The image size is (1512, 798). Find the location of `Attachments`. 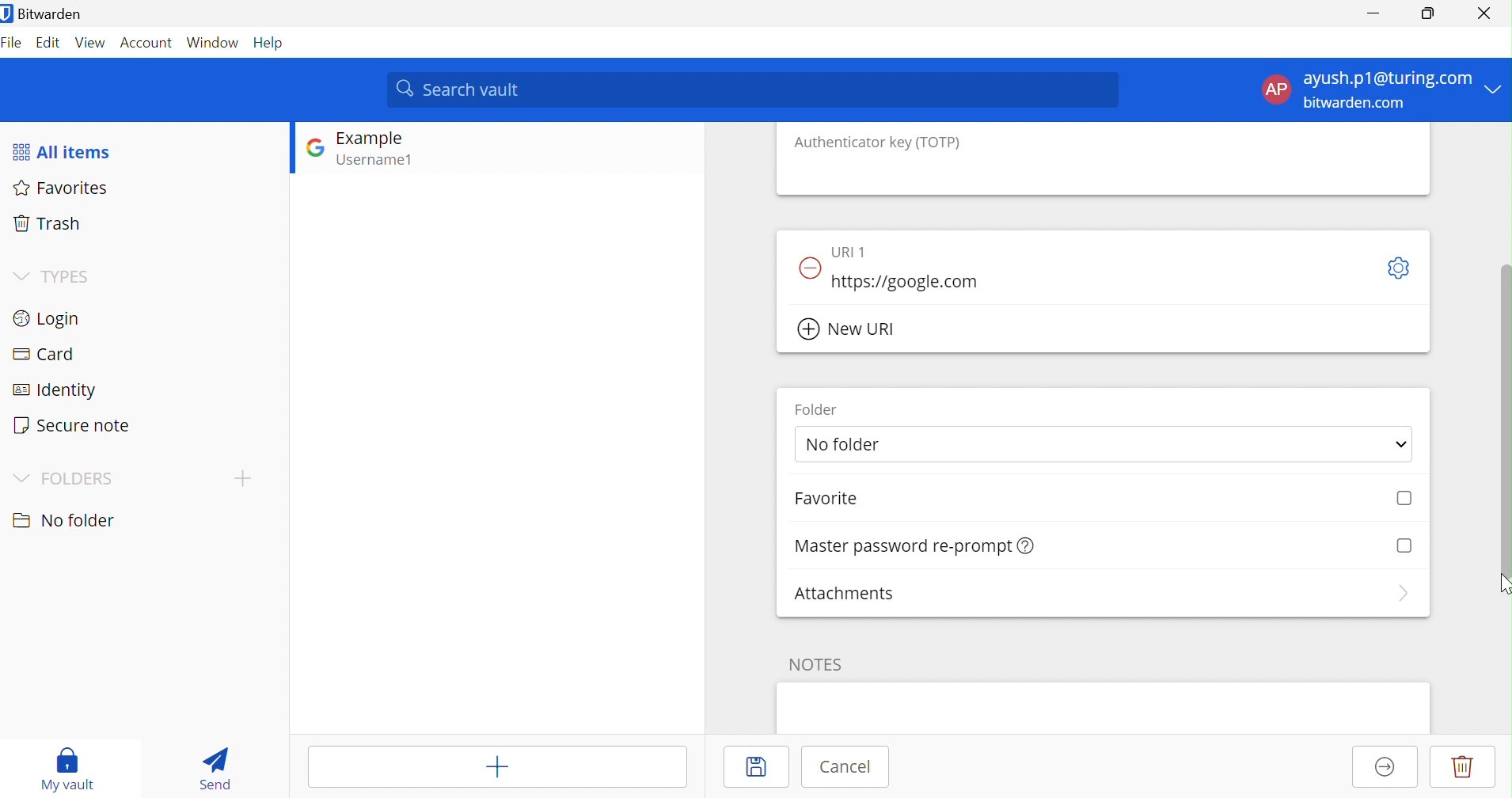

Attachments is located at coordinates (845, 593).